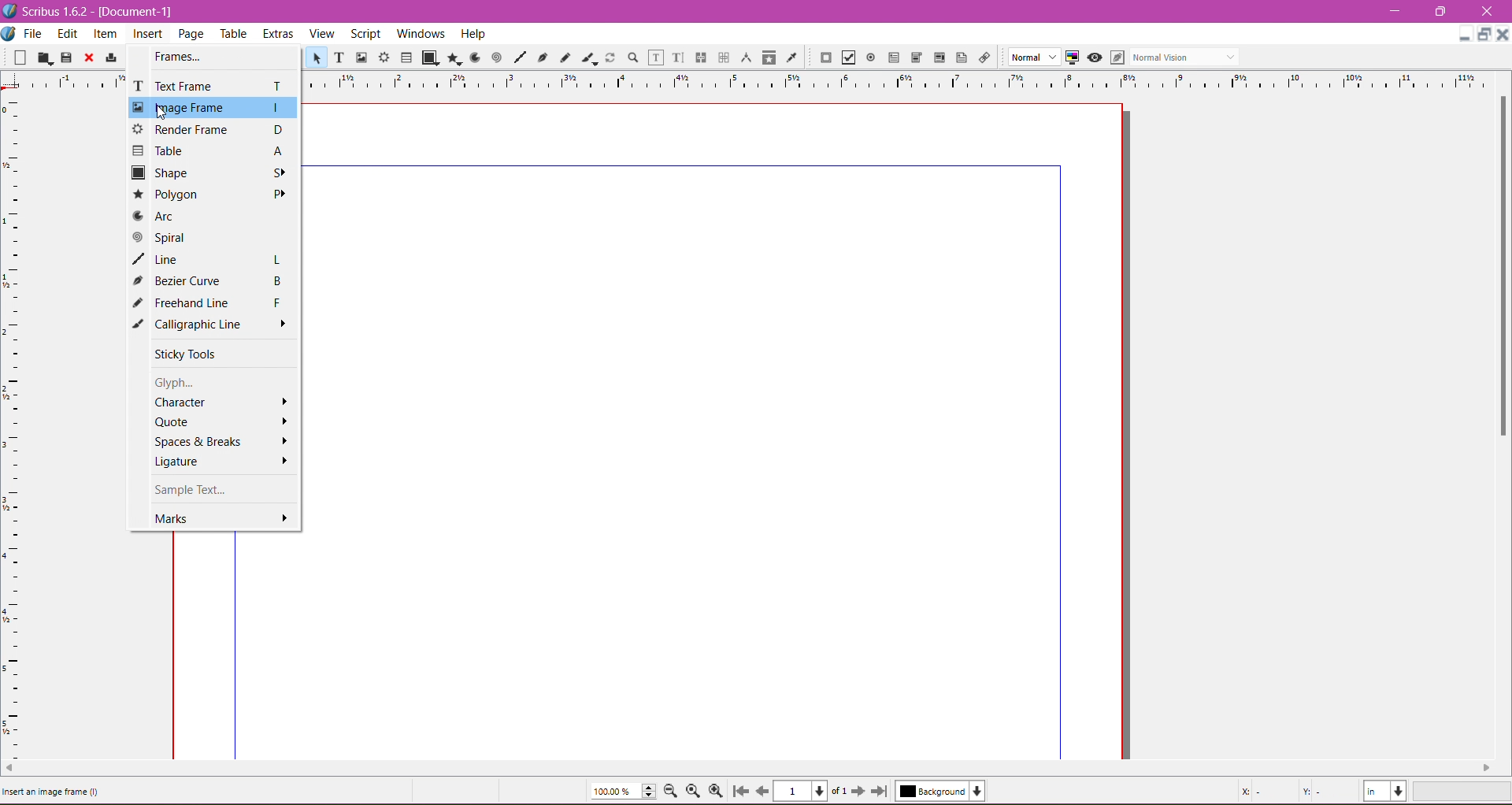  Describe the element at coordinates (193, 35) in the screenshot. I see `Page` at that location.